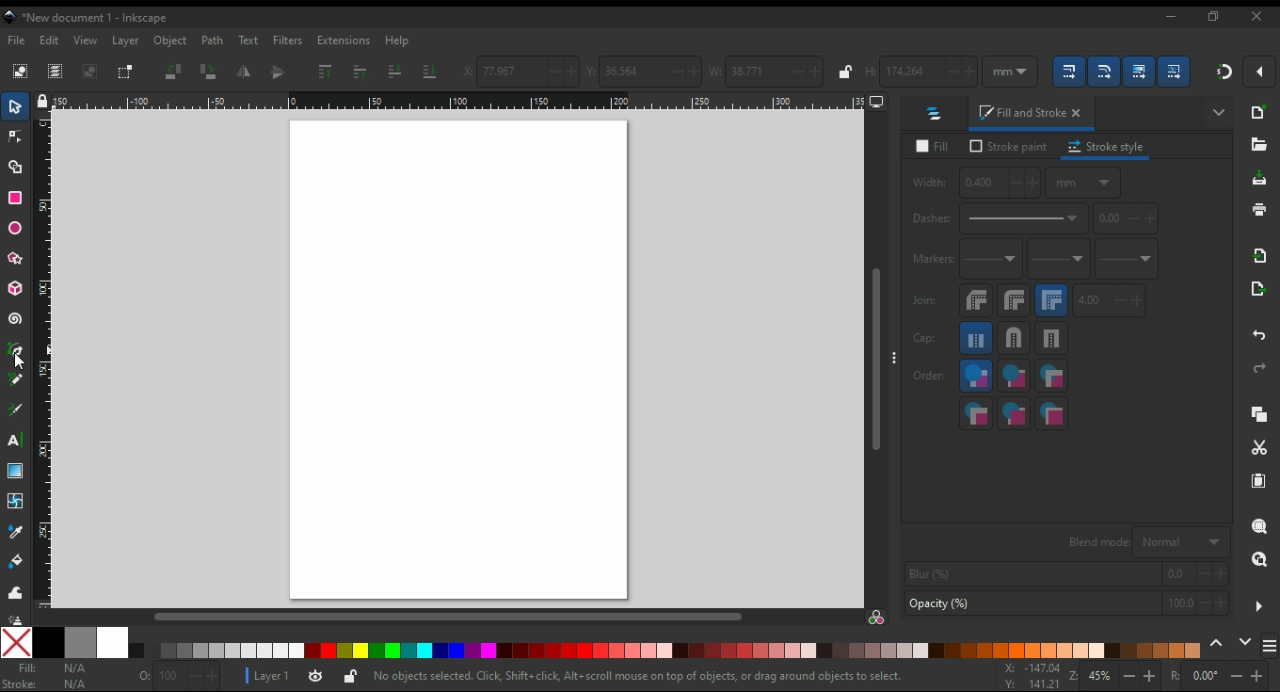  I want to click on tweak tool, so click(14, 592).